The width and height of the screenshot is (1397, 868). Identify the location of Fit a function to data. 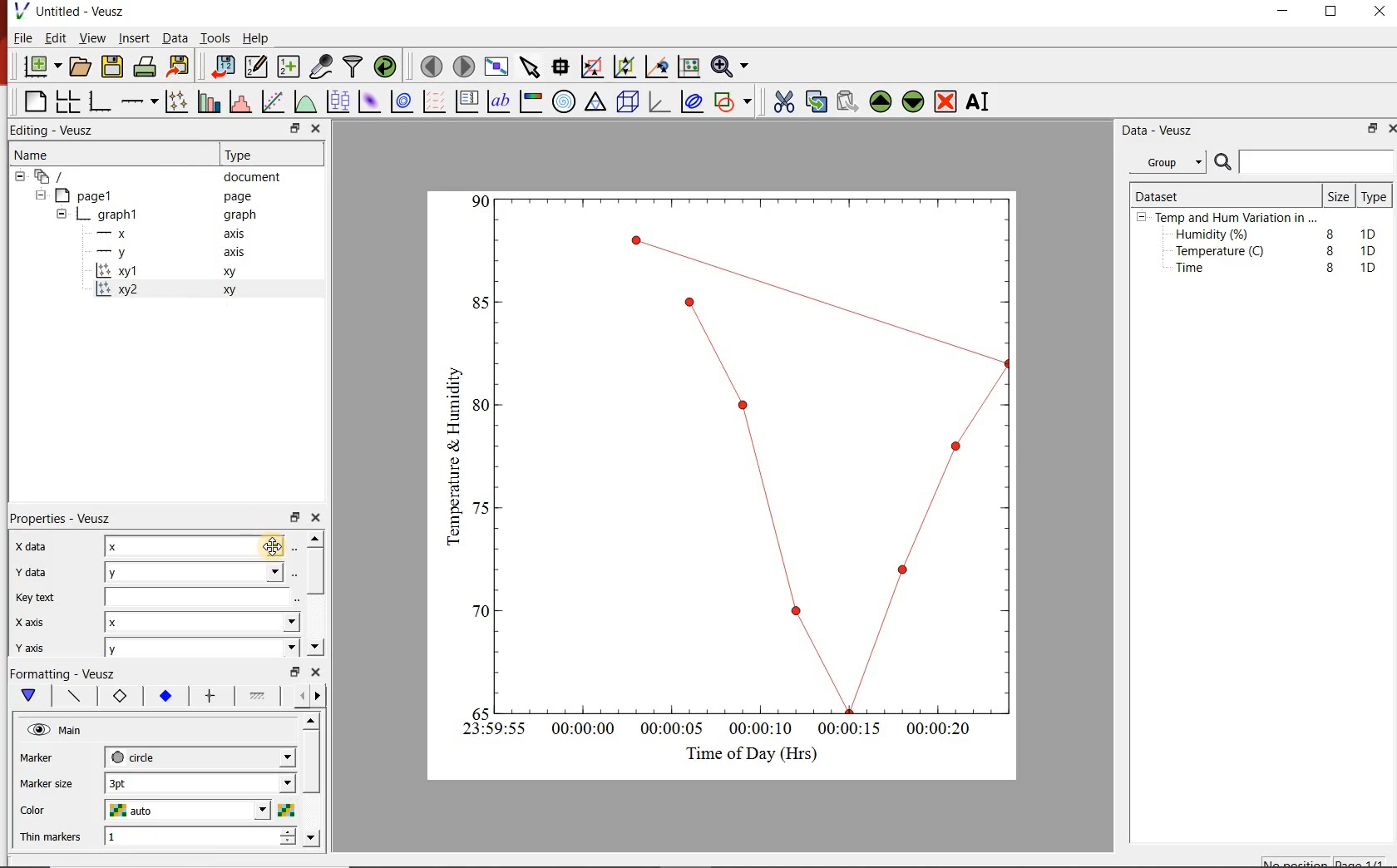
(274, 101).